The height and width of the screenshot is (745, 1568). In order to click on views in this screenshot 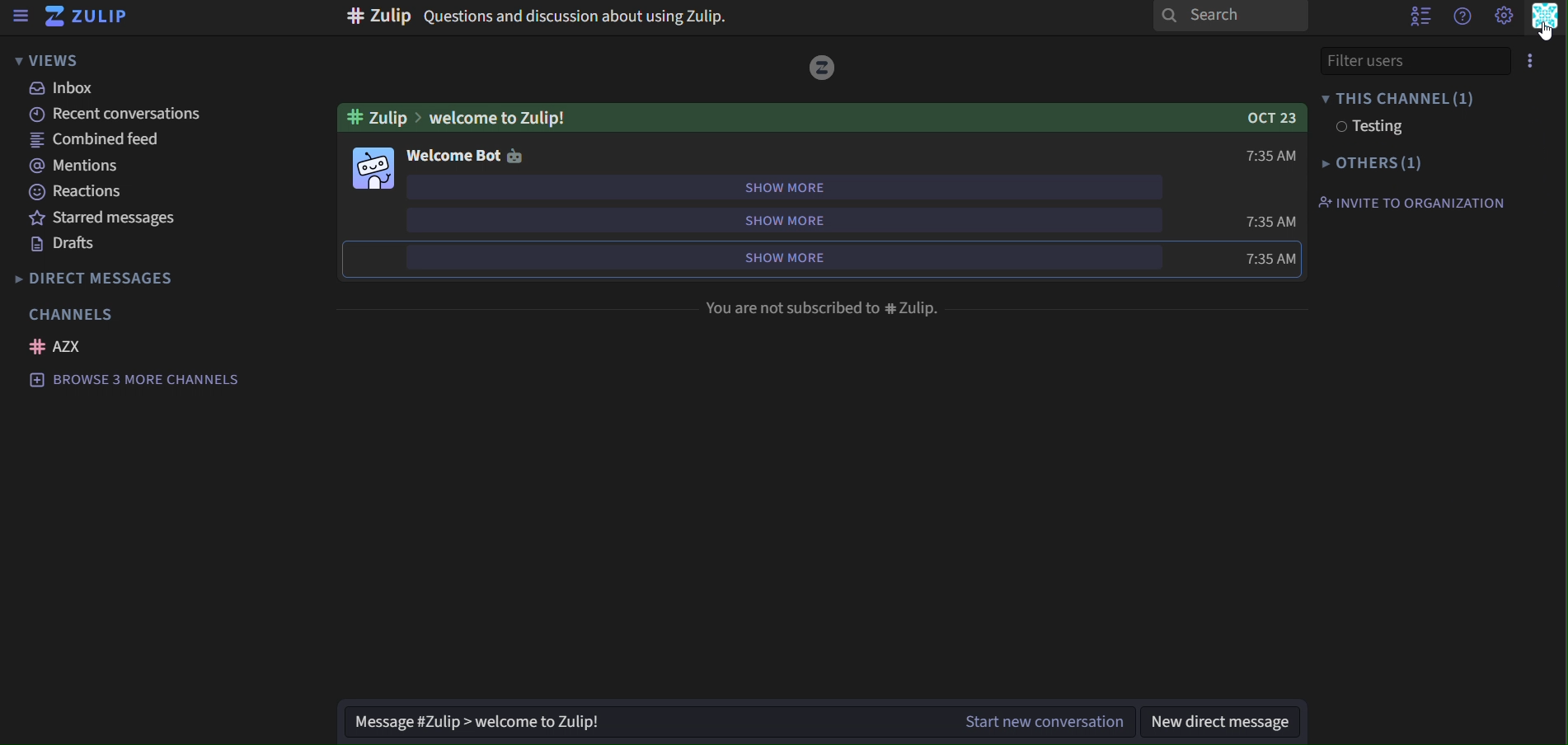, I will do `click(73, 60)`.